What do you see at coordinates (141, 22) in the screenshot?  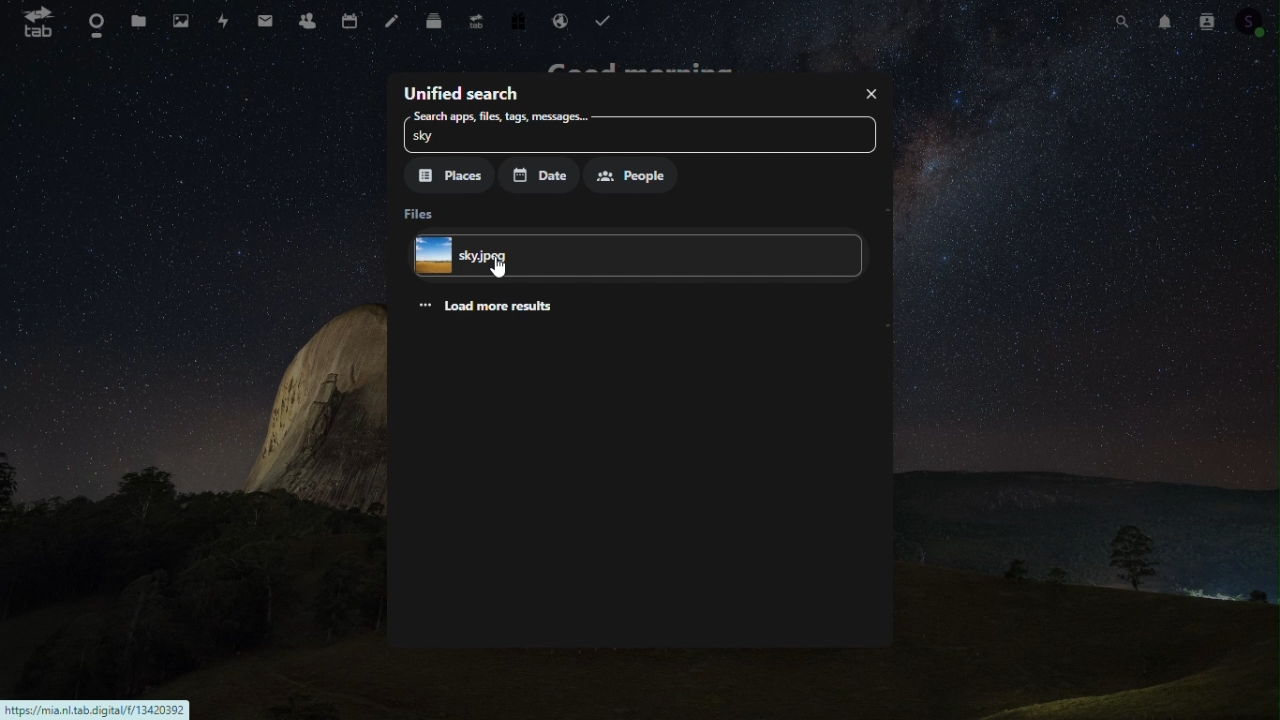 I see `Files` at bounding box center [141, 22].